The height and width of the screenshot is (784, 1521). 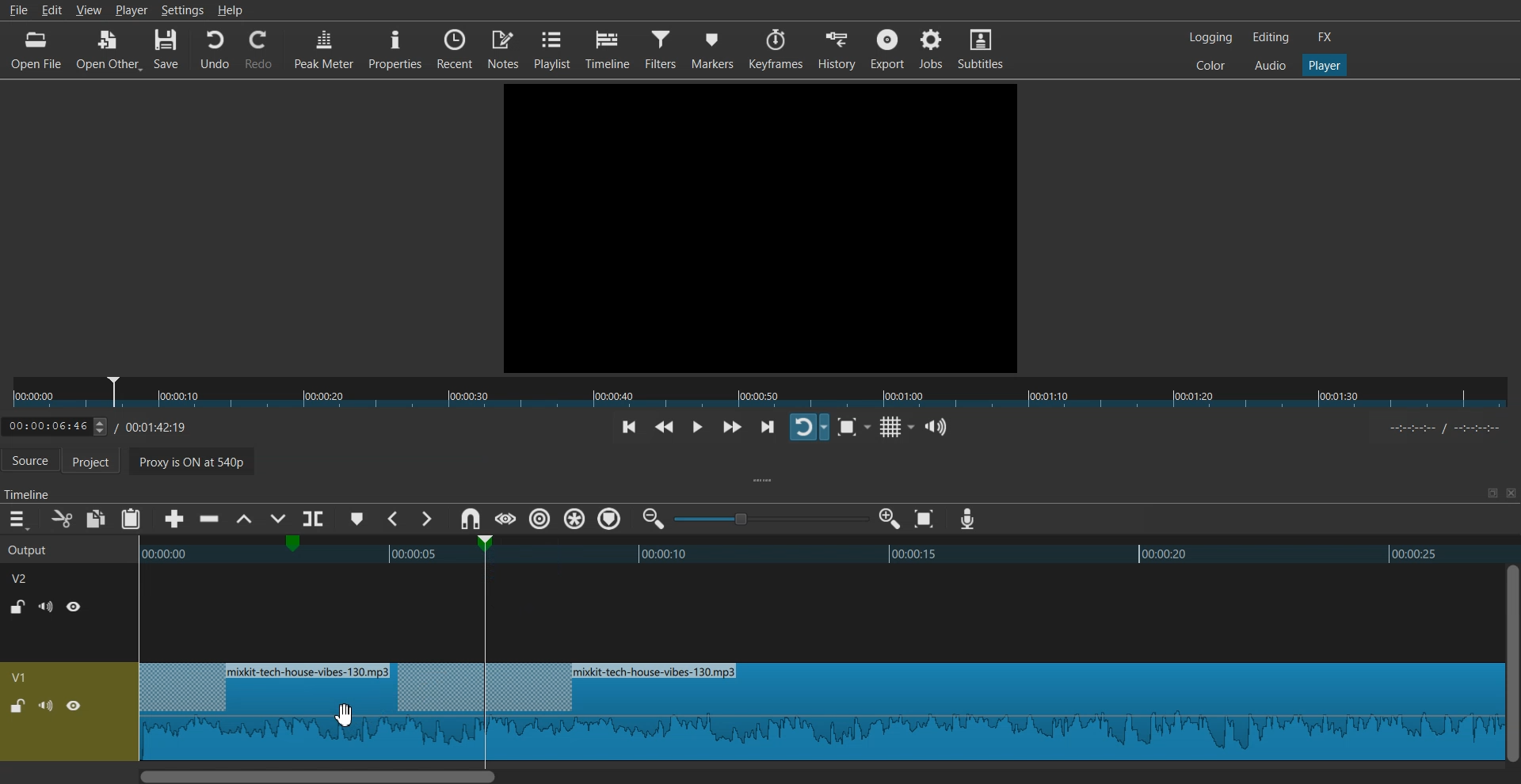 I want to click on Scrub while dragging, so click(x=505, y=519).